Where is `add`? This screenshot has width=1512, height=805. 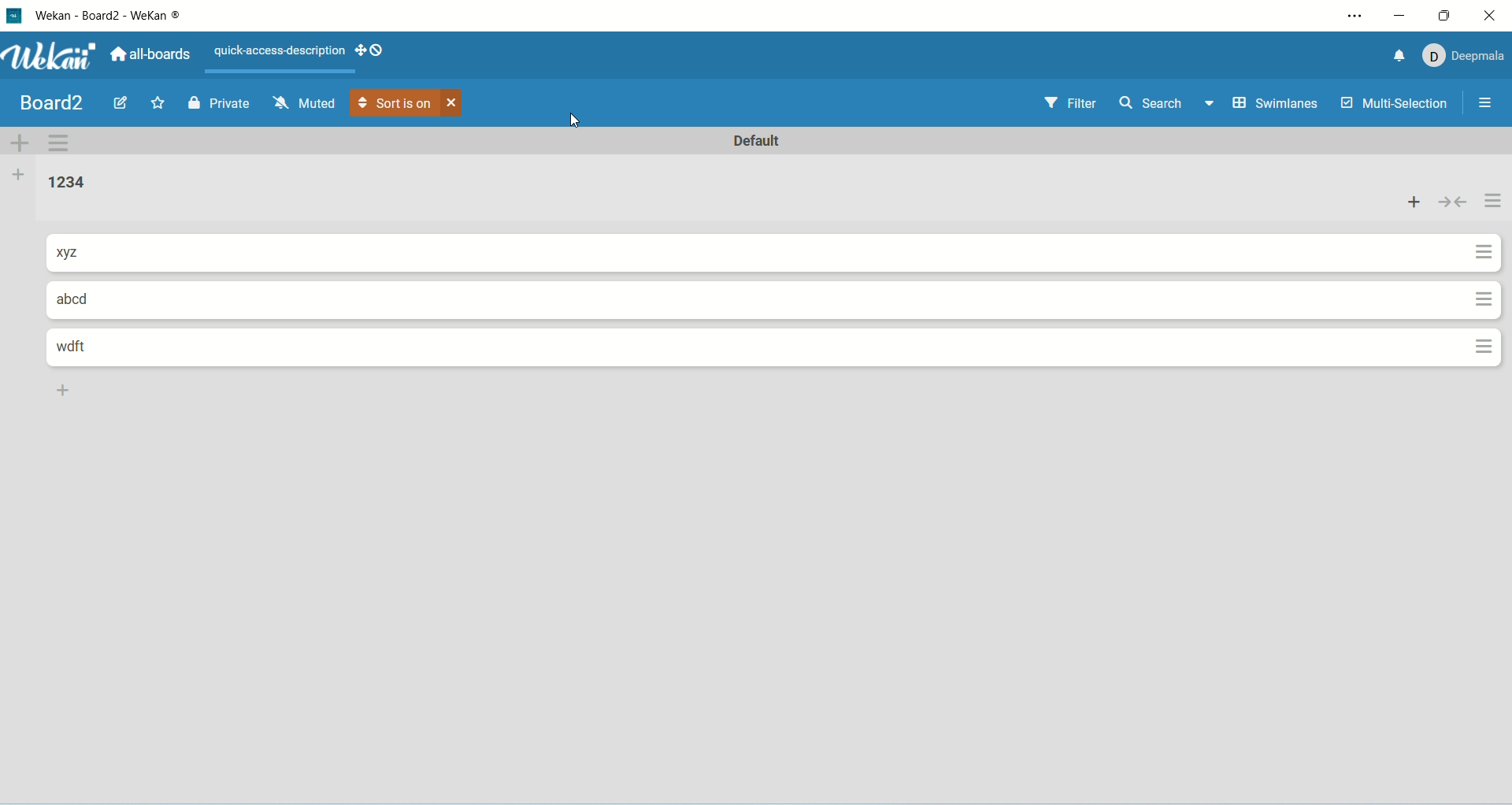 add is located at coordinates (1414, 203).